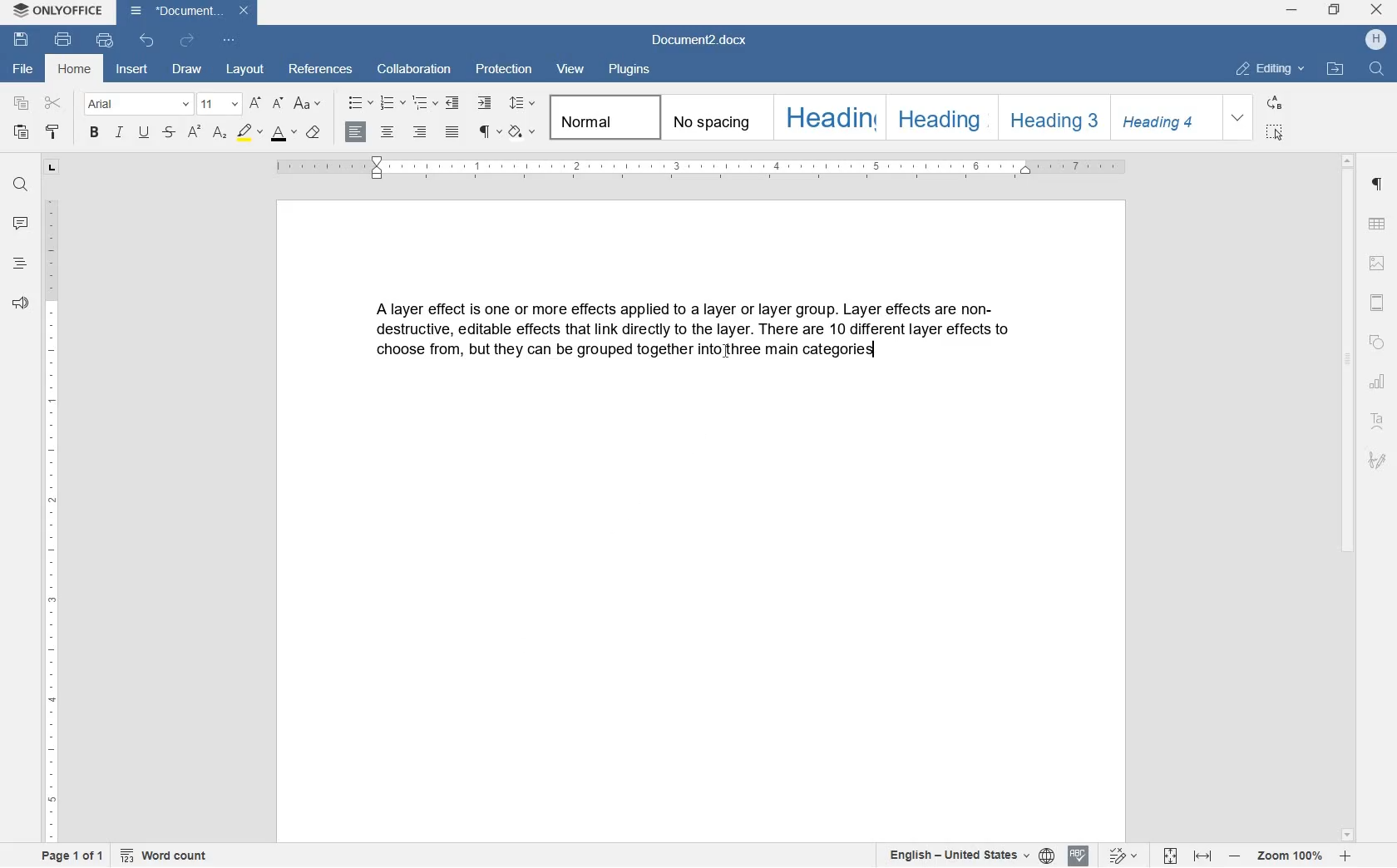 The image size is (1397, 868). I want to click on page 1 of 1, so click(68, 856).